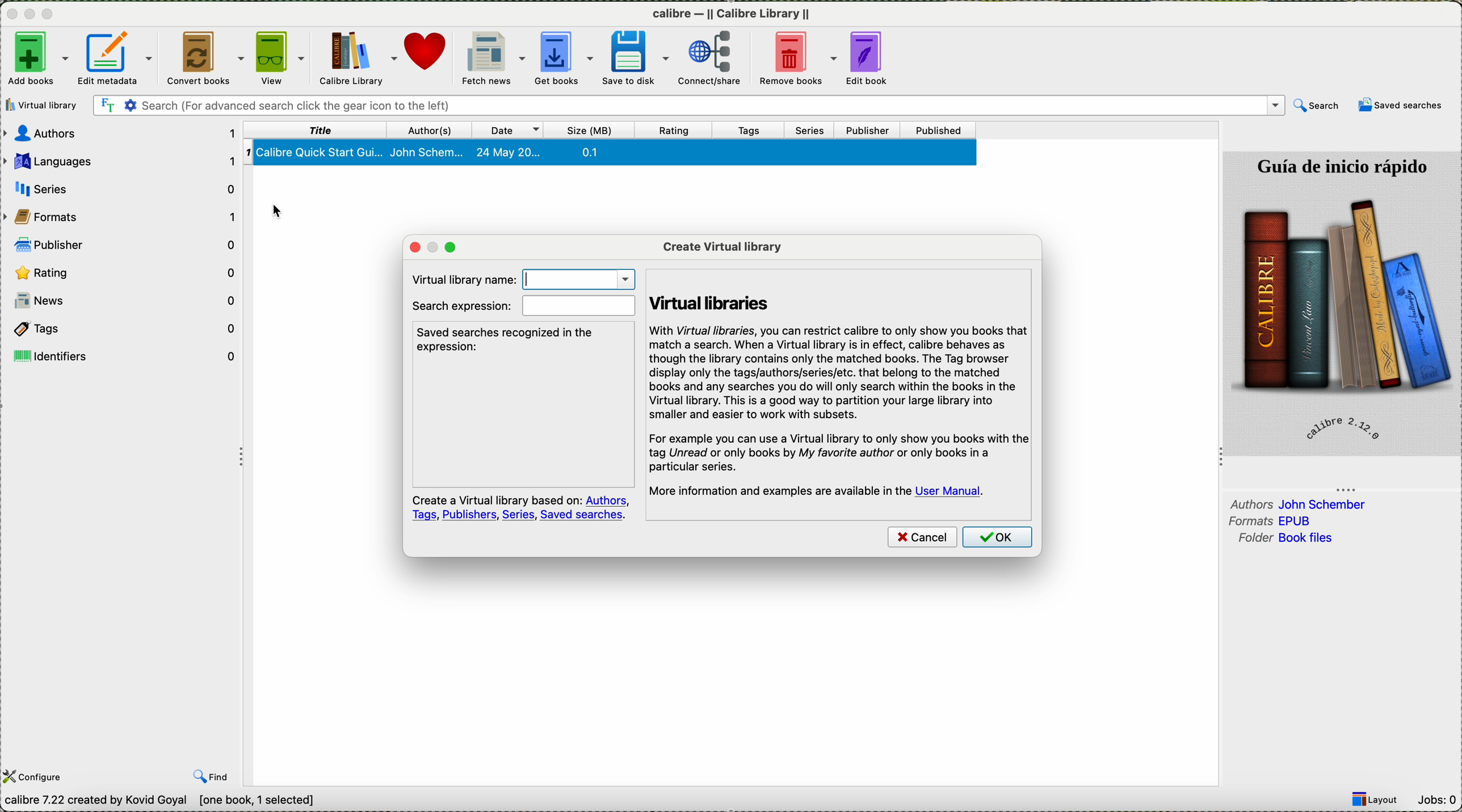  Describe the element at coordinates (718, 58) in the screenshot. I see `connect/share` at that location.